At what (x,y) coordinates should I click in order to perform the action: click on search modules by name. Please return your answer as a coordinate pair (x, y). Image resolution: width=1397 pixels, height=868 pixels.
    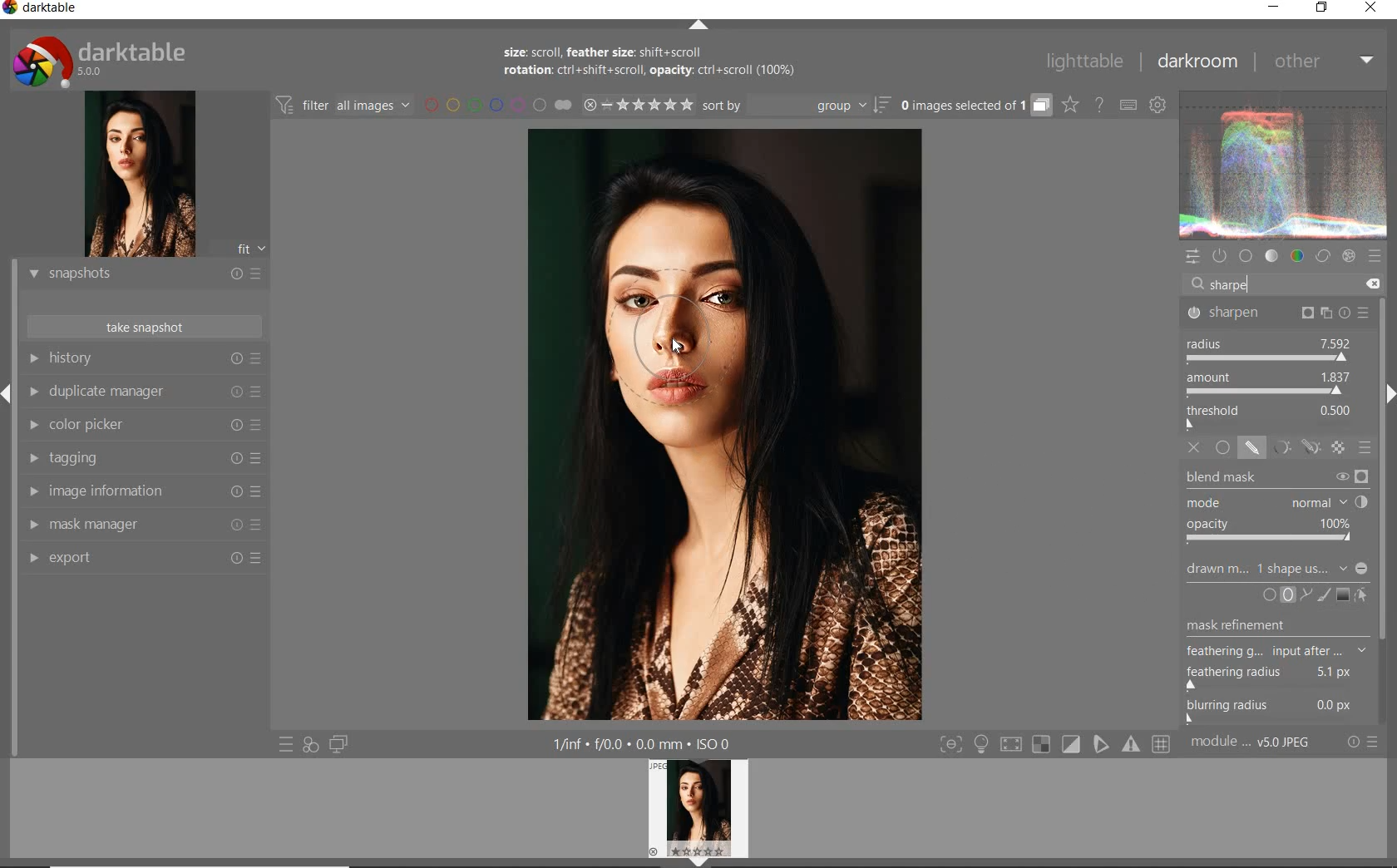
    Looking at the image, I should click on (1284, 284).